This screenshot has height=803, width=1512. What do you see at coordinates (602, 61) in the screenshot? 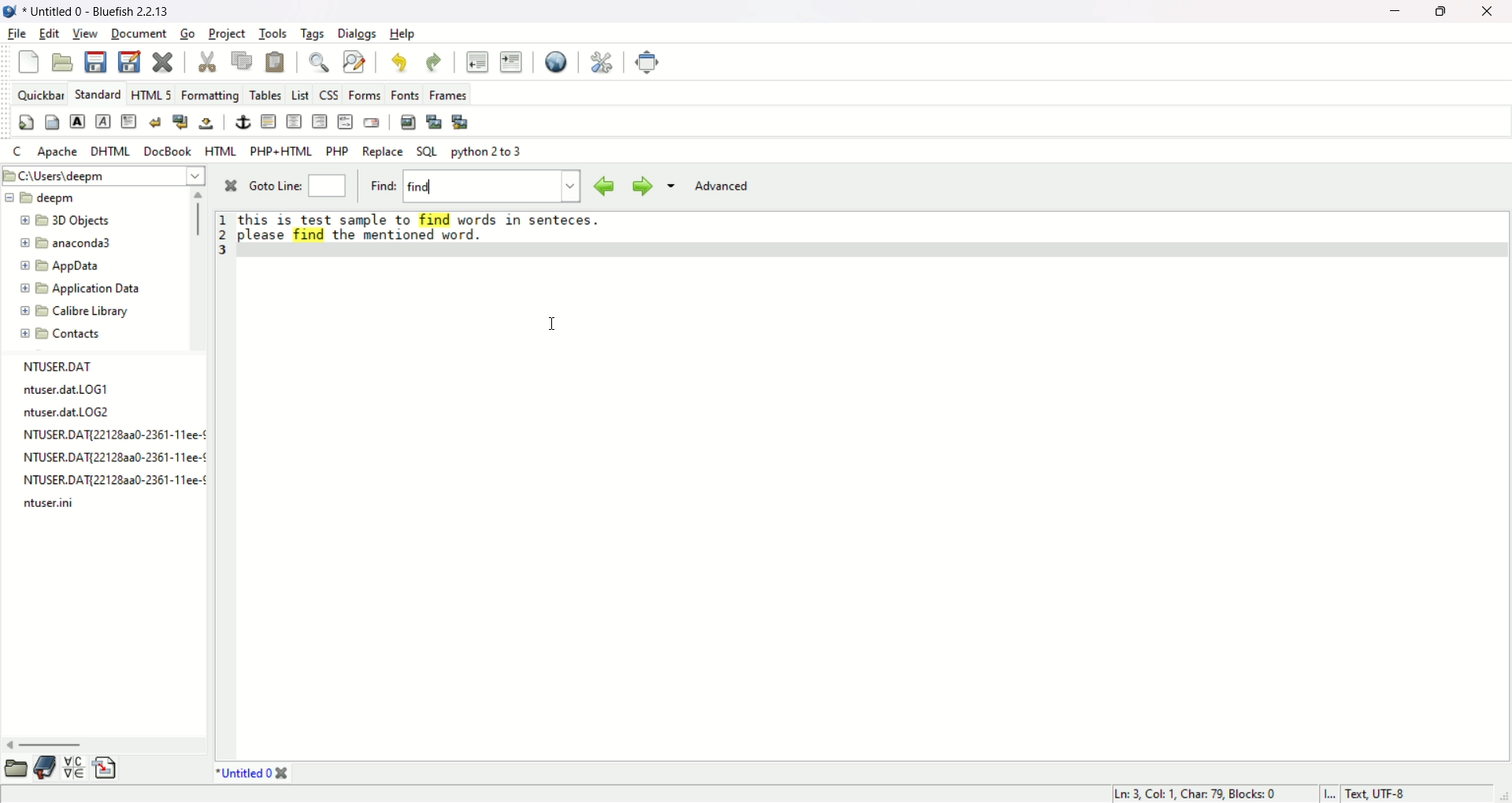
I see `edit preferences` at bounding box center [602, 61].